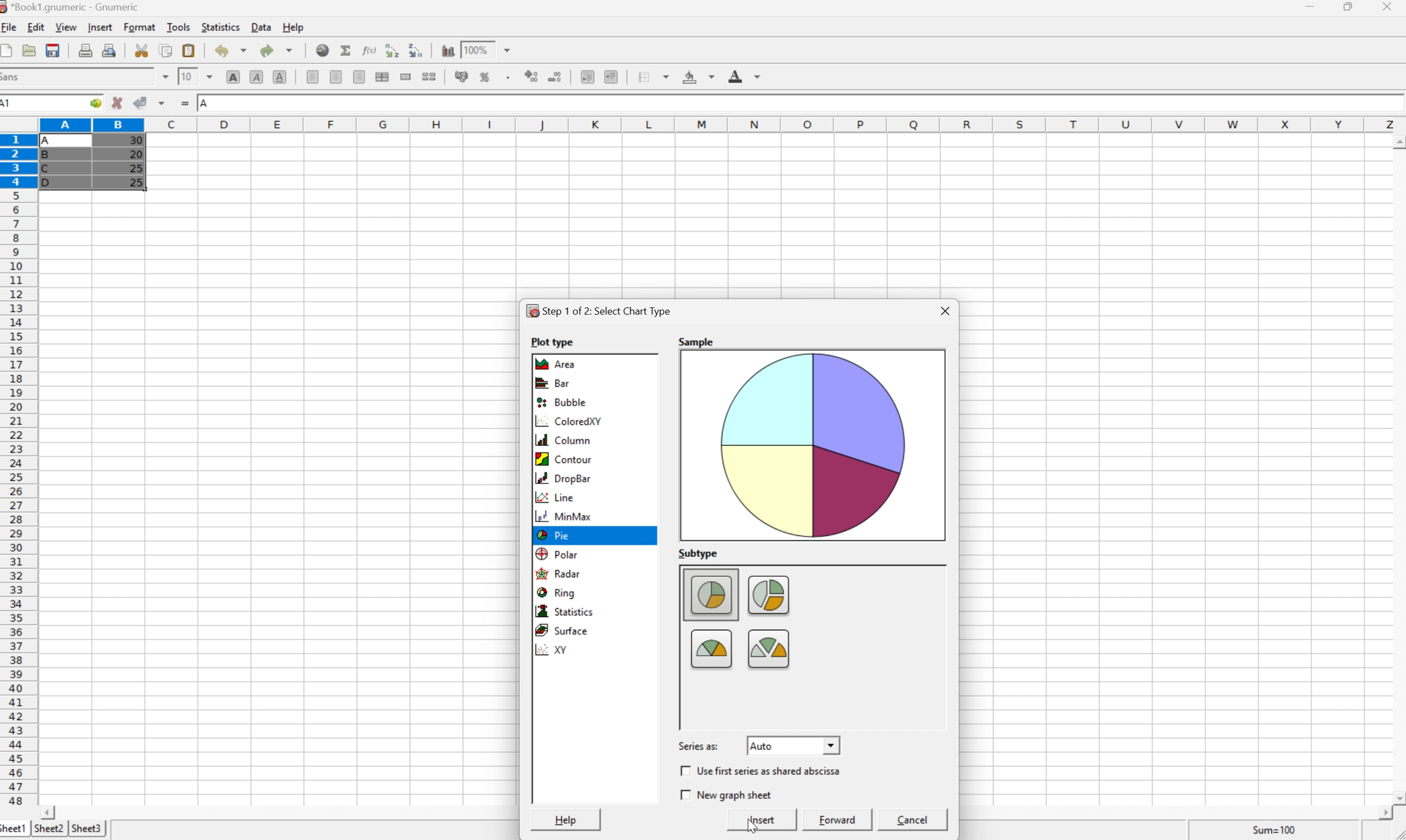 This screenshot has width=1406, height=840. I want to click on Statistics, so click(221, 27).